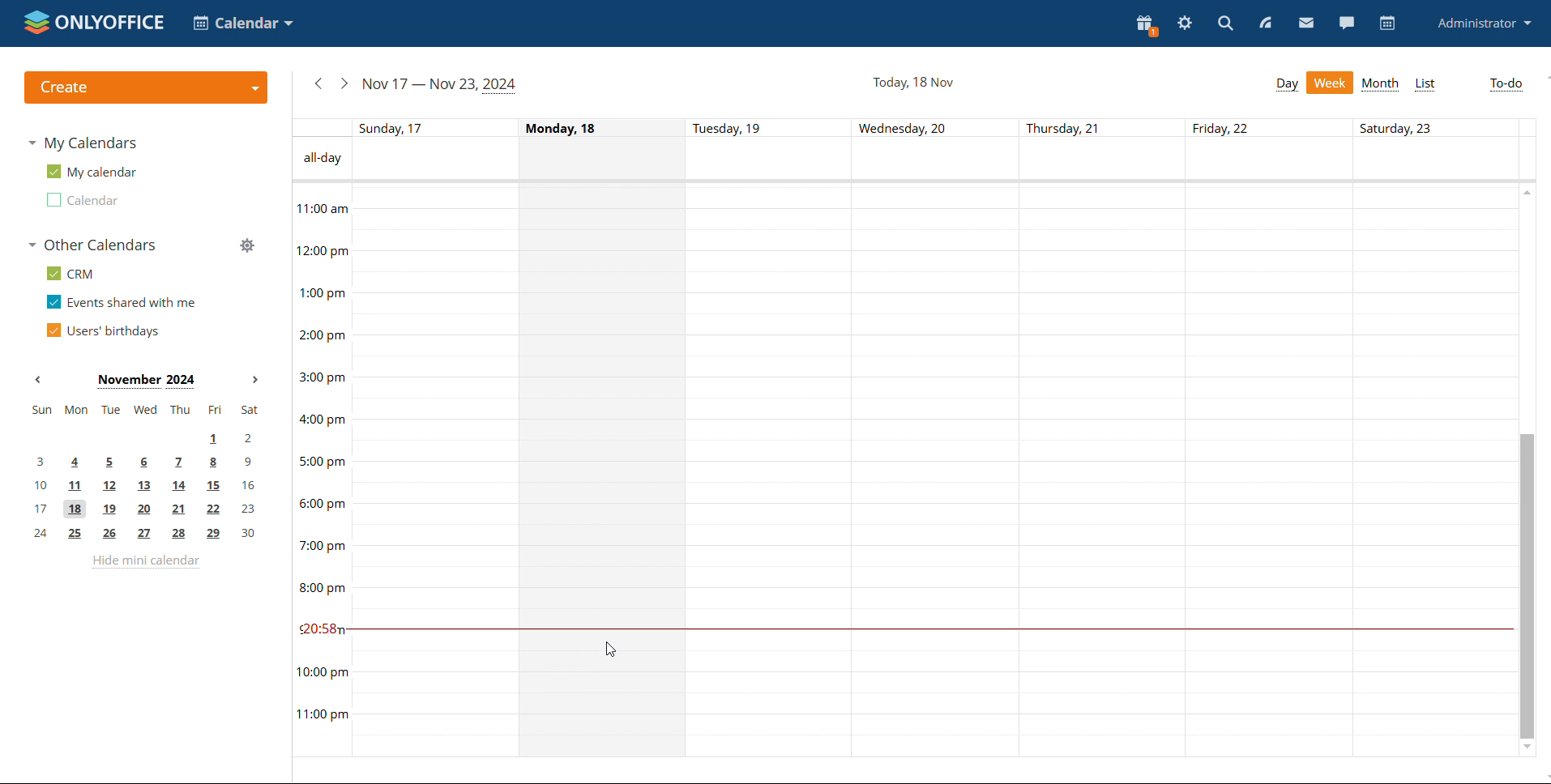 Image resolution: width=1551 pixels, height=784 pixels. Describe the element at coordinates (39, 379) in the screenshot. I see `previous month` at that location.